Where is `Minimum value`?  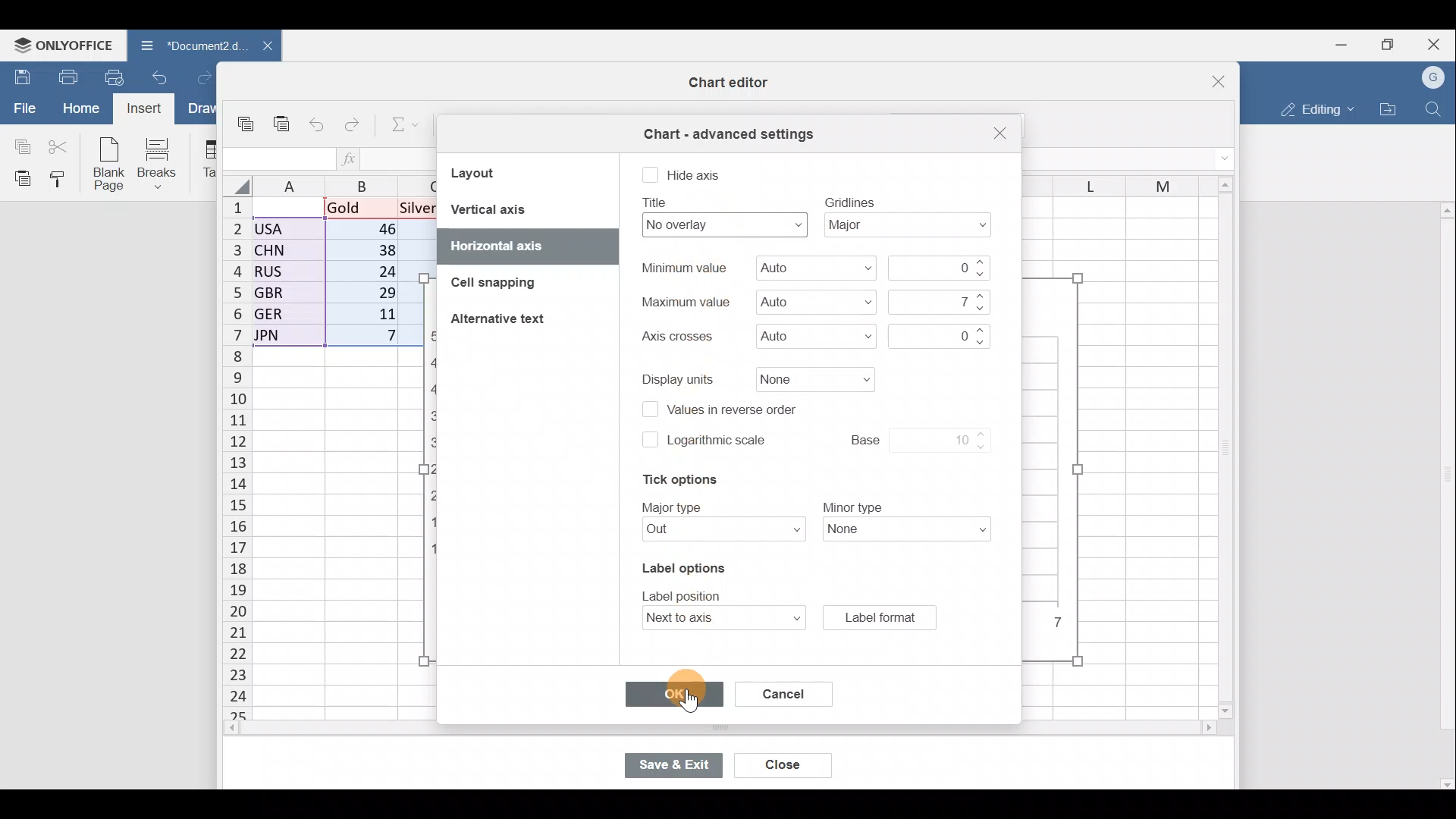 Minimum value is located at coordinates (811, 271).